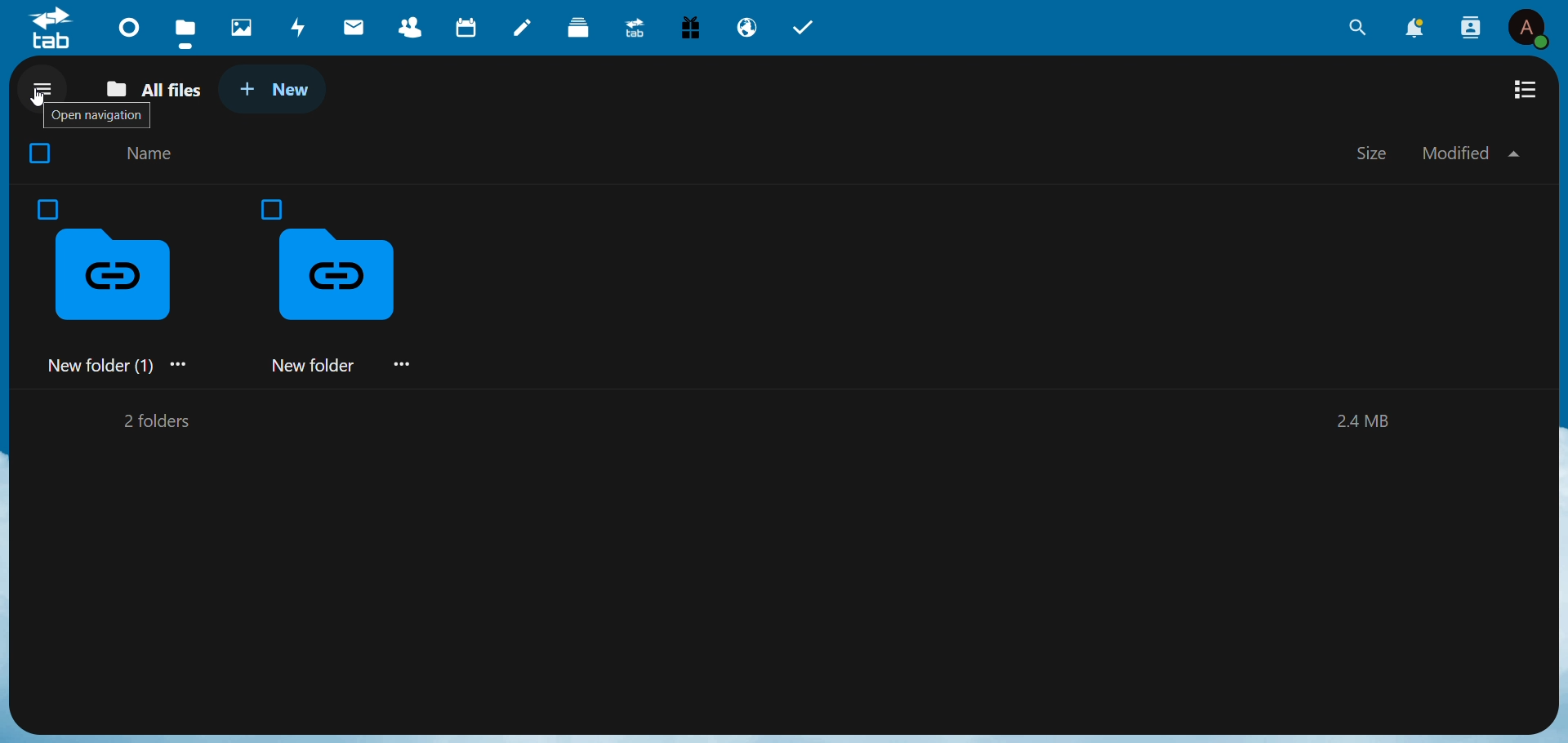  Describe the element at coordinates (468, 27) in the screenshot. I see `calender` at that location.